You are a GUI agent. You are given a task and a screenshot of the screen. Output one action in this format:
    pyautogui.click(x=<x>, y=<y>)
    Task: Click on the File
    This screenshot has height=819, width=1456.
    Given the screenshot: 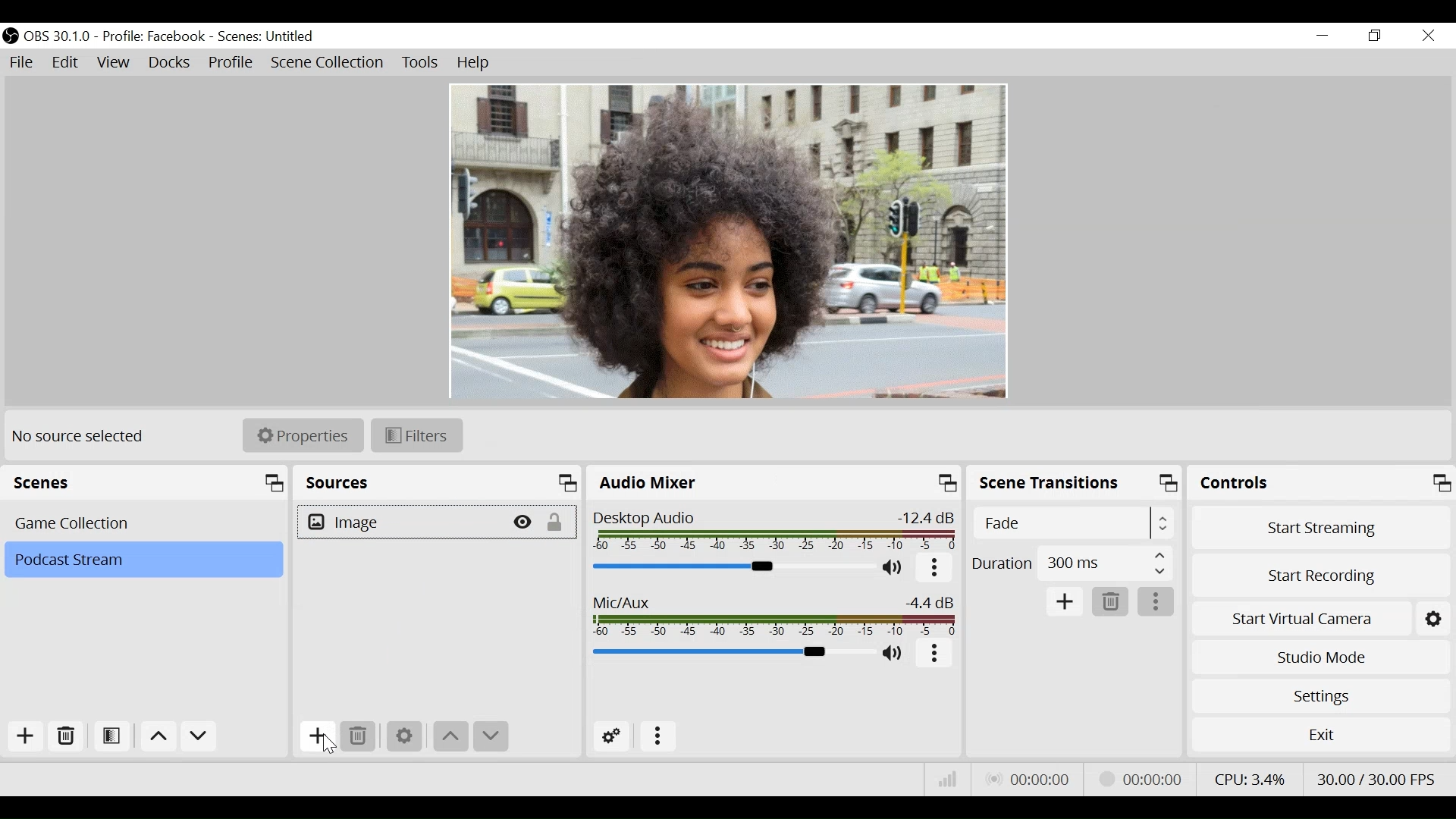 What is the action you would take?
    pyautogui.click(x=24, y=63)
    